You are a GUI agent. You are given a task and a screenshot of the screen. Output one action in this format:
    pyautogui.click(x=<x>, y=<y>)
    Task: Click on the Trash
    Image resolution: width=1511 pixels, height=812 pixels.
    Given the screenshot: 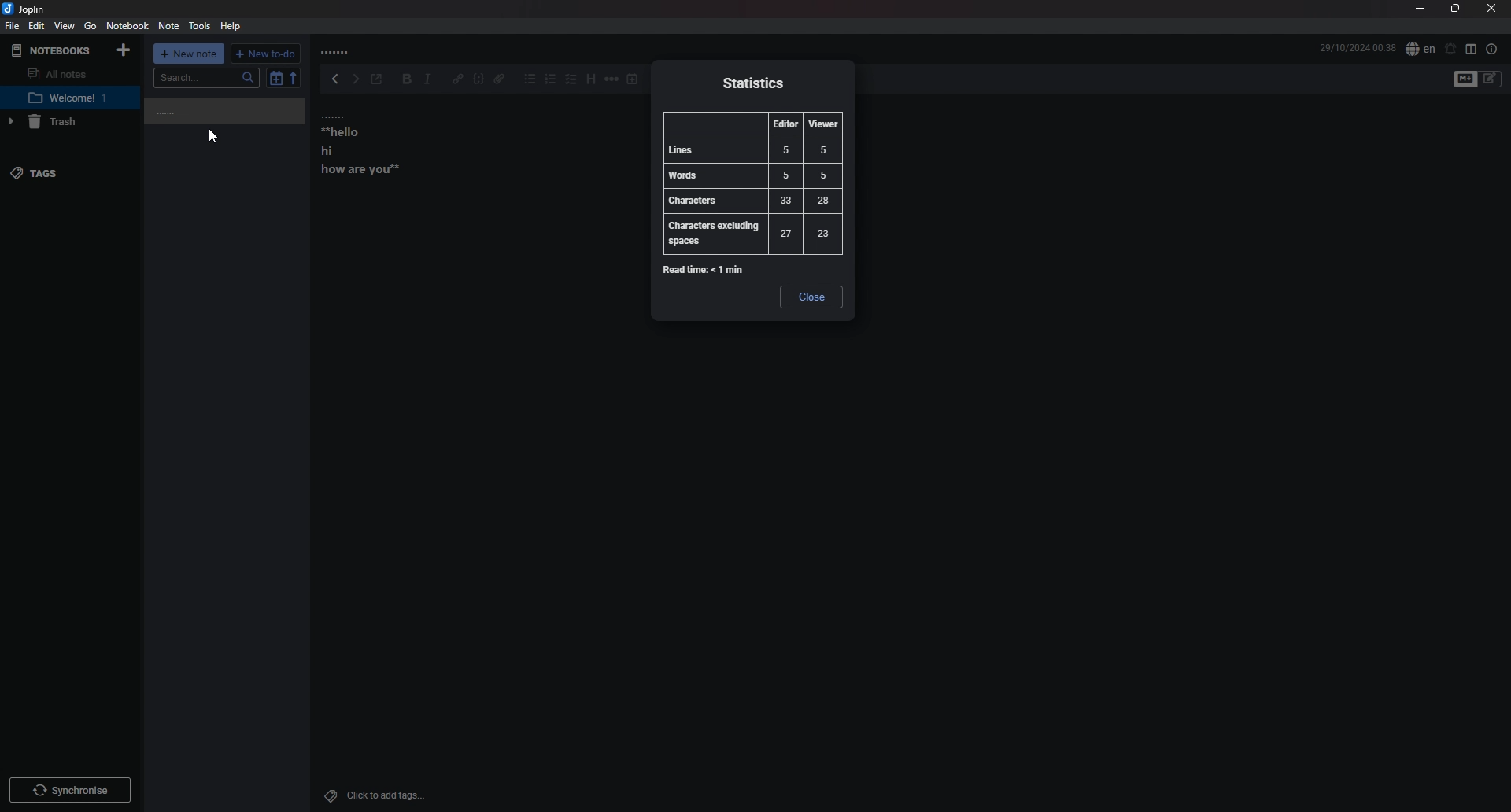 What is the action you would take?
    pyautogui.click(x=61, y=123)
    